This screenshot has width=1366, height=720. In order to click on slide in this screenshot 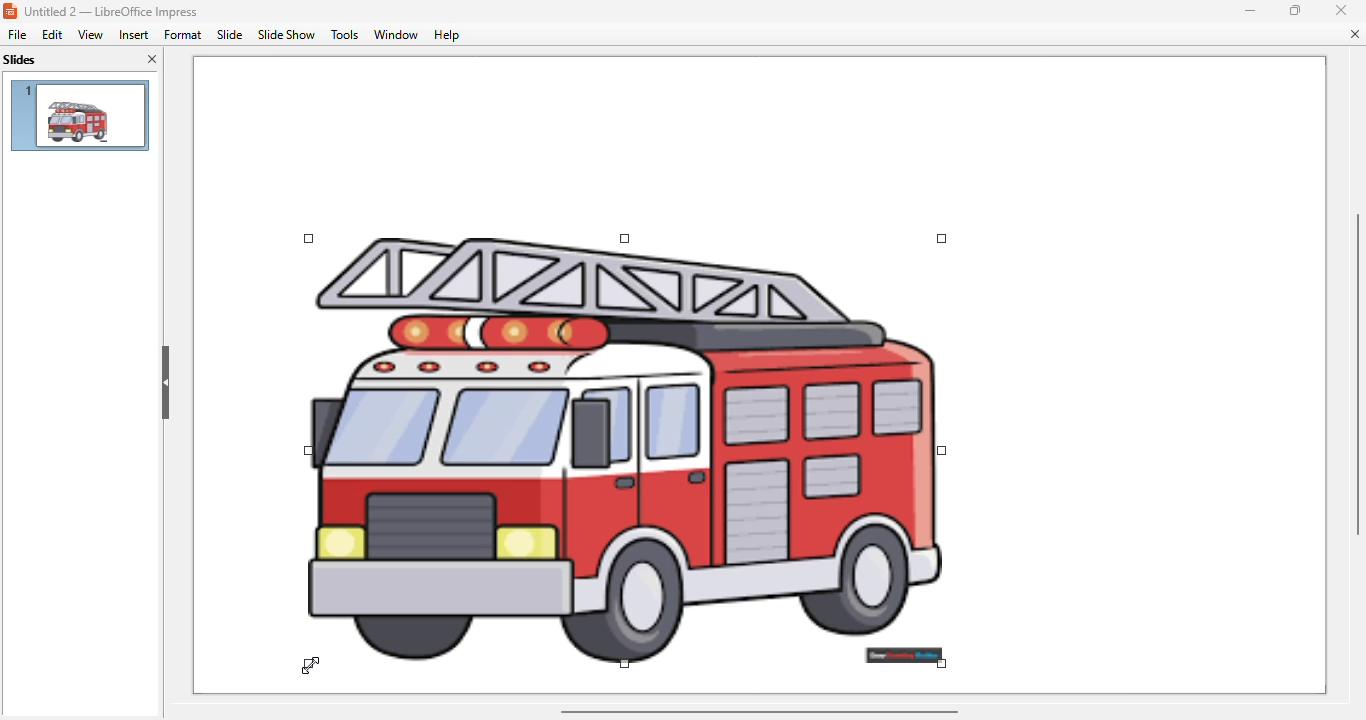, I will do `click(231, 35)`.